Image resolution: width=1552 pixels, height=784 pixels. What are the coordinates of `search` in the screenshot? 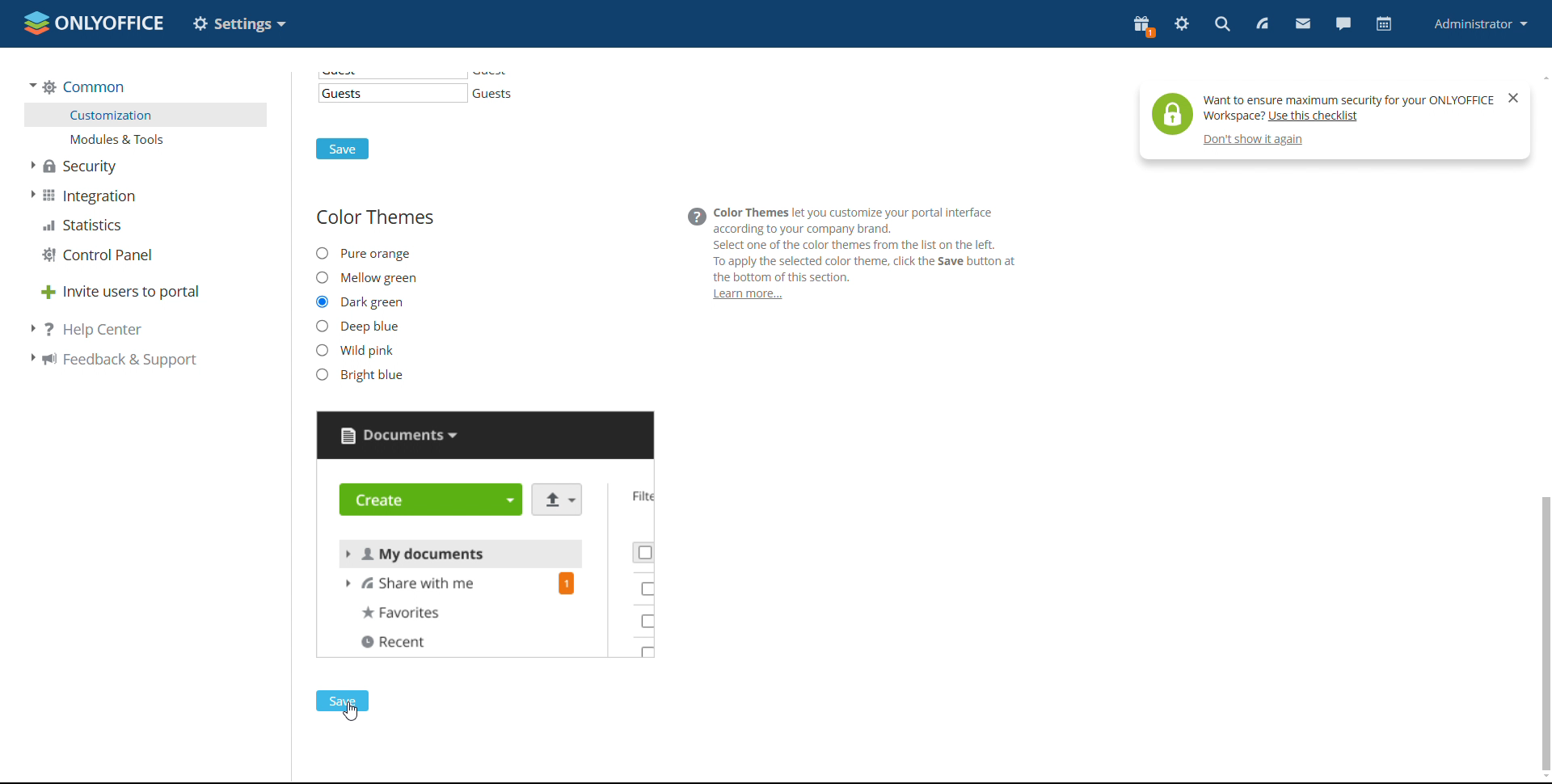 It's located at (1221, 23).